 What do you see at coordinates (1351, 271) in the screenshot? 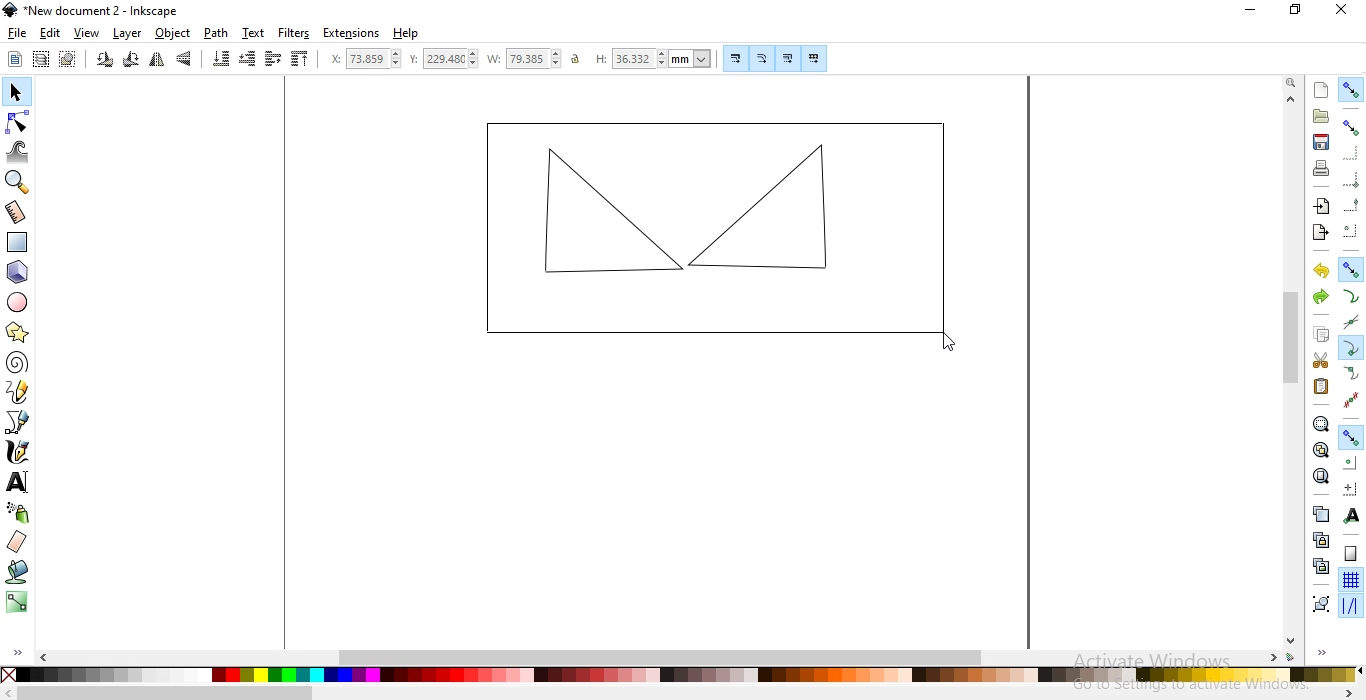
I see `snap nodes, paths and handles` at bounding box center [1351, 271].